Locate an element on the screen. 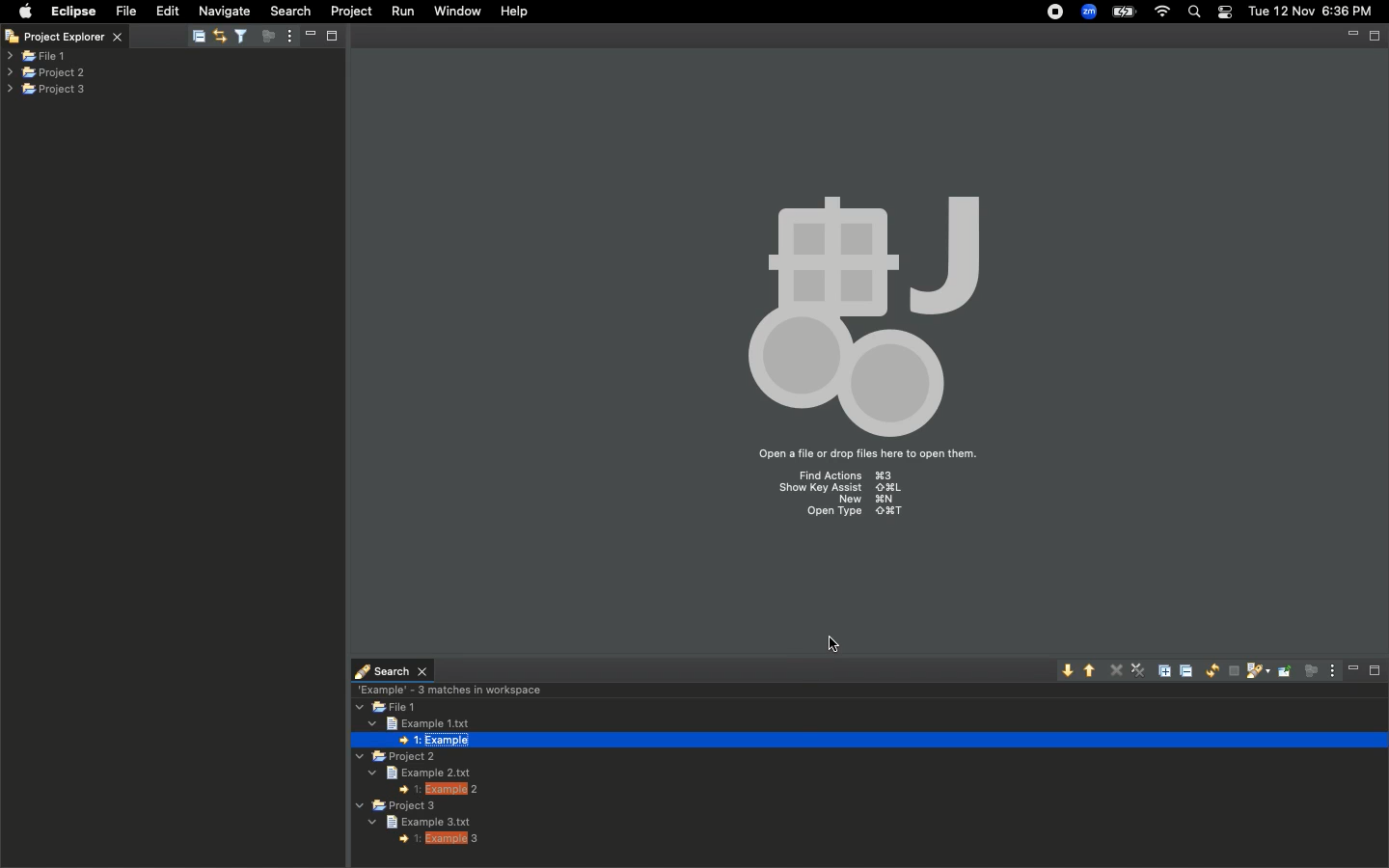 The image size is (1389, 868). Expand all is located at coordinates (1168, 669).